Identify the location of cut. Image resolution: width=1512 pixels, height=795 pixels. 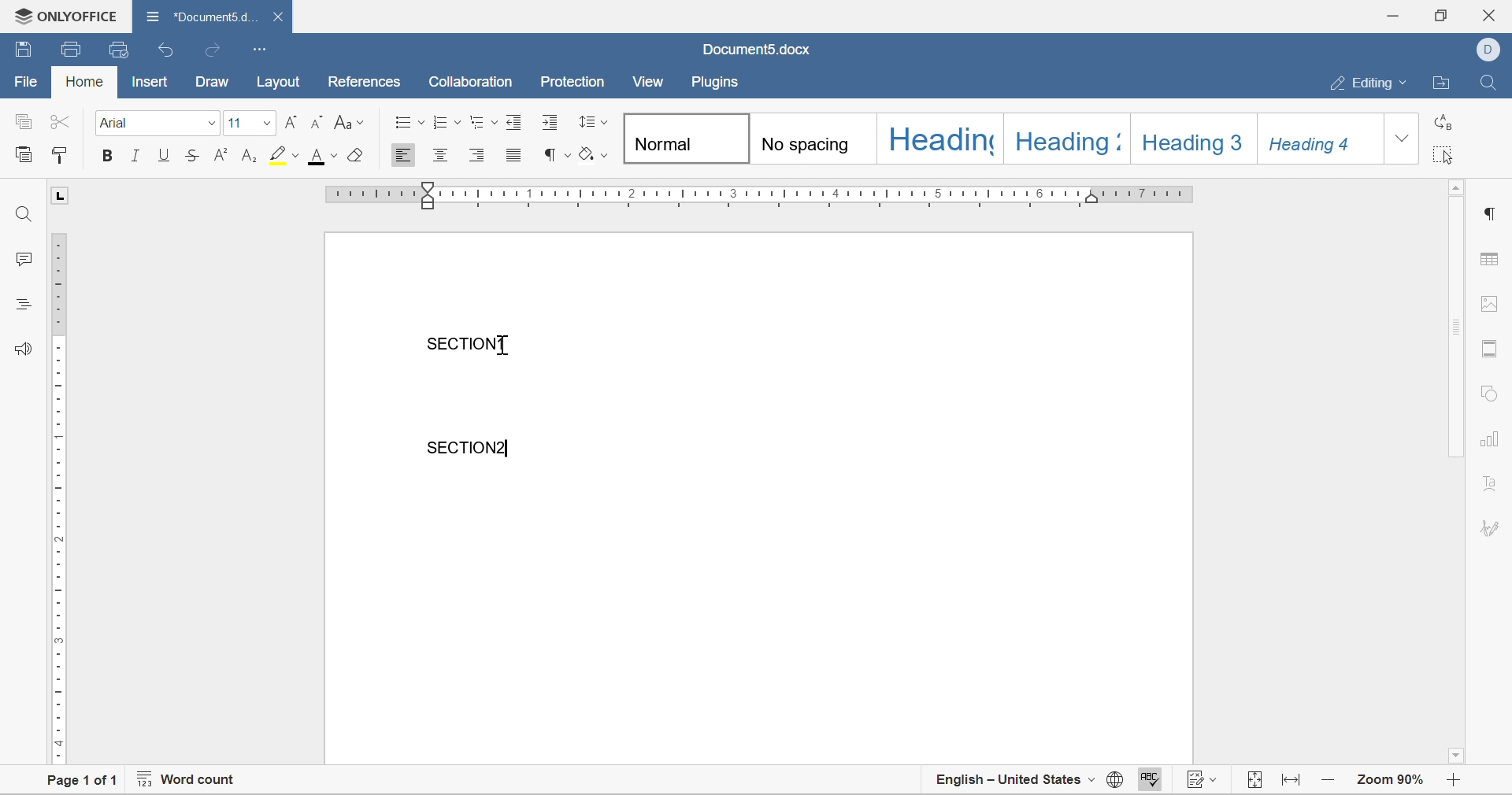
(60, 121).